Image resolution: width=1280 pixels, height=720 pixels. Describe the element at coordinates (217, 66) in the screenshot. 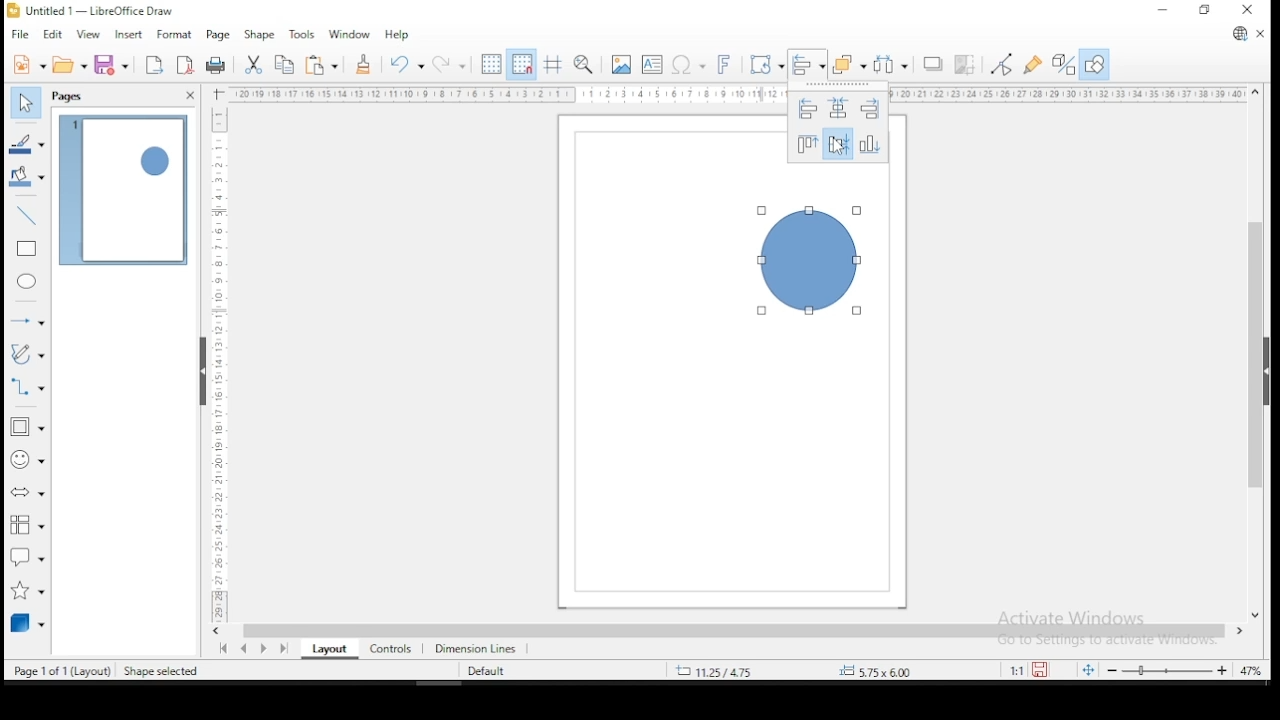

I see `print` at that location.